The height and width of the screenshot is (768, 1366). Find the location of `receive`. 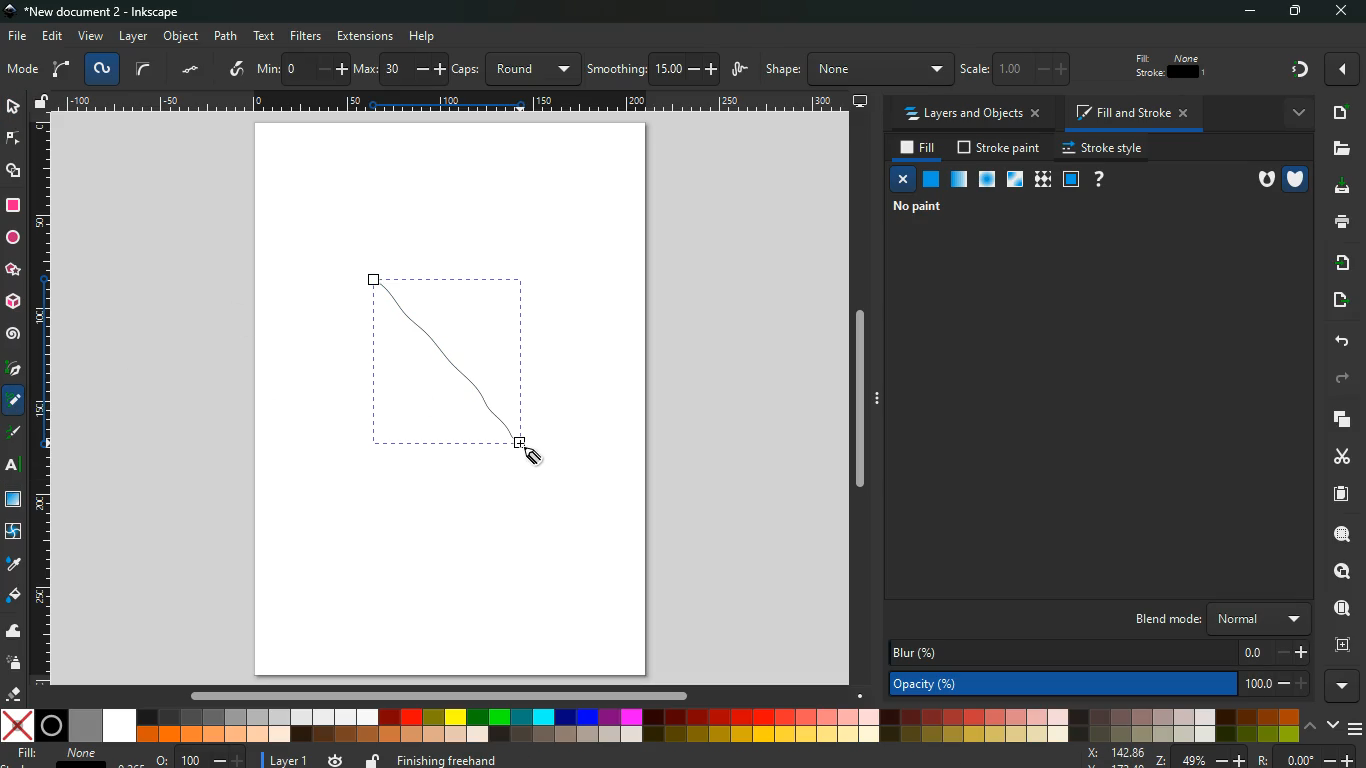

receive is located at coordinates (1339, 261).